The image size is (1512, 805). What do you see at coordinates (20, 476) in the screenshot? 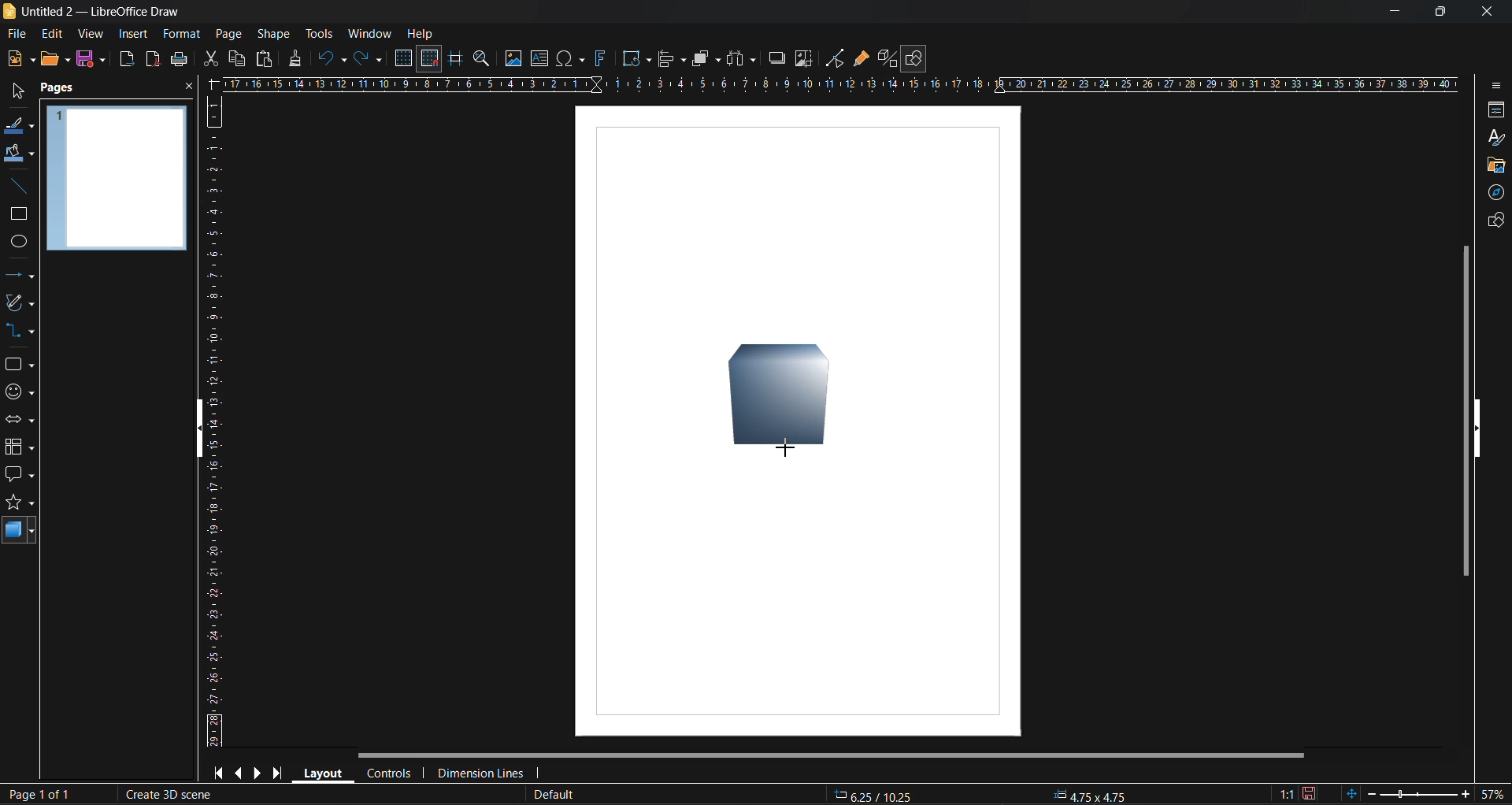
I see `callout shapes` at bounding box center [20, 476].